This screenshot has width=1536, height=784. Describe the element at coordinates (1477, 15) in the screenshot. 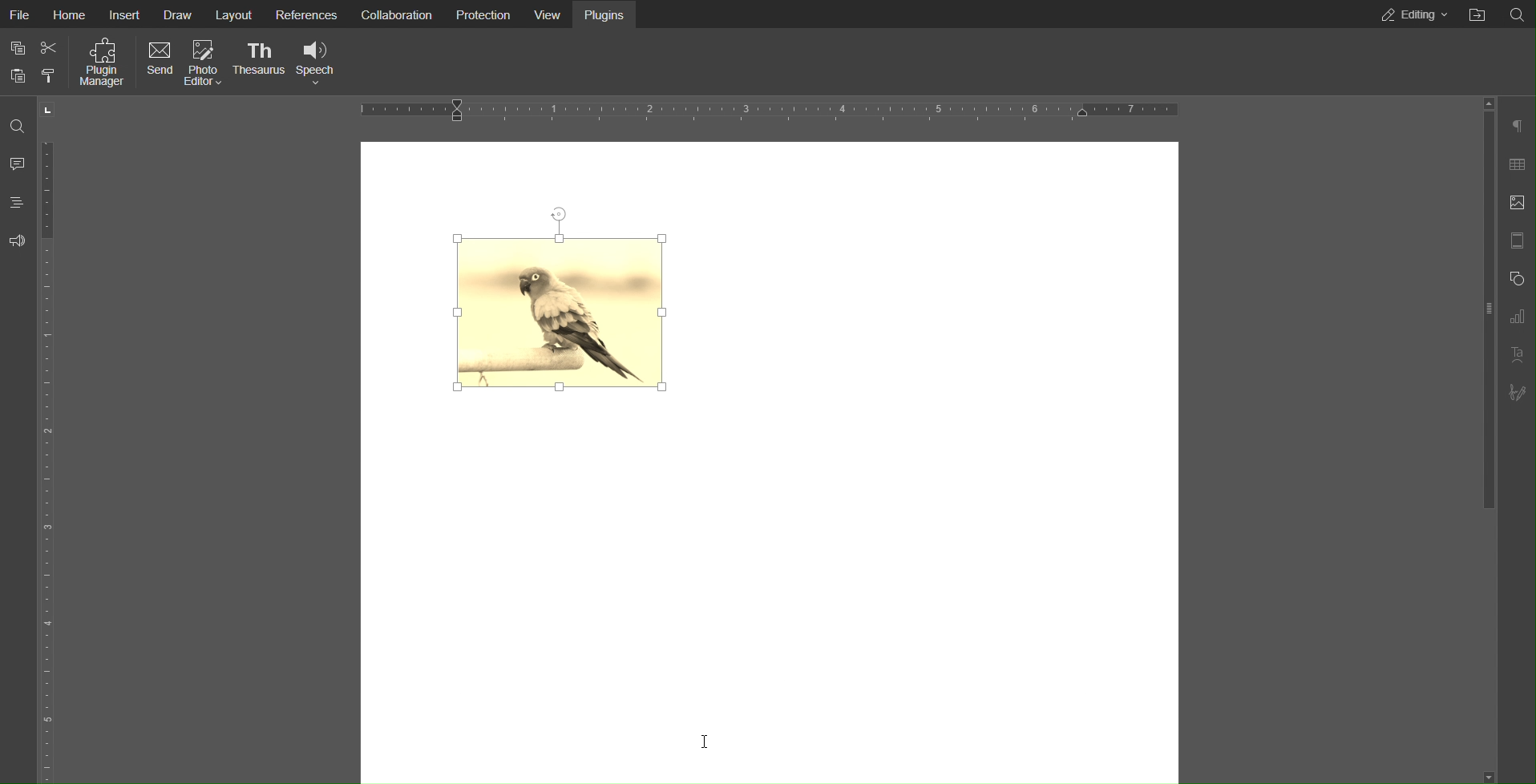

I see `Open File Location` at that location.